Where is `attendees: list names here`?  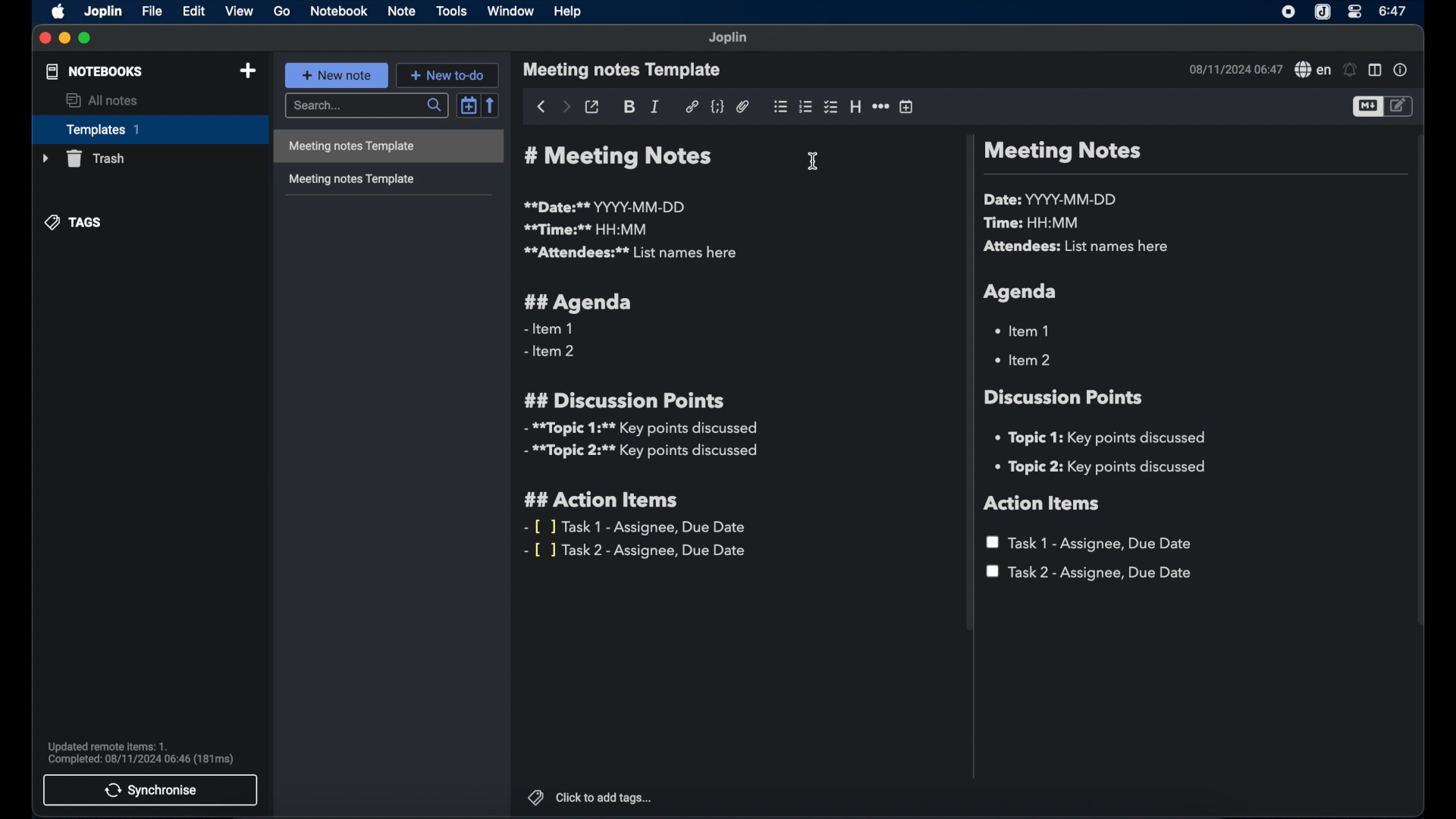 attendees: list names here is located at coordinates (1079, 247).